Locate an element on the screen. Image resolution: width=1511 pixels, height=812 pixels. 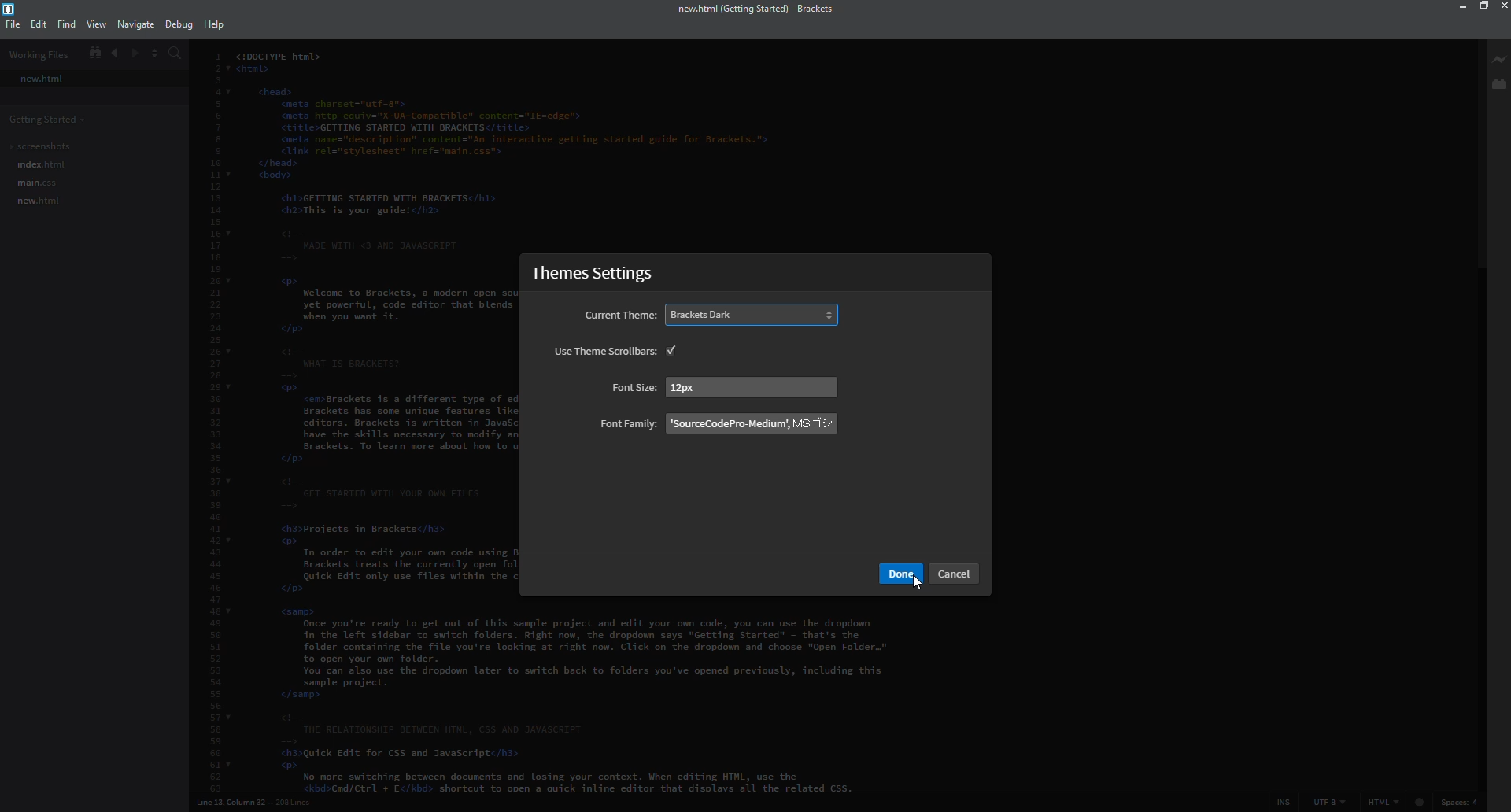
forward is located at coordinates (133, 54).